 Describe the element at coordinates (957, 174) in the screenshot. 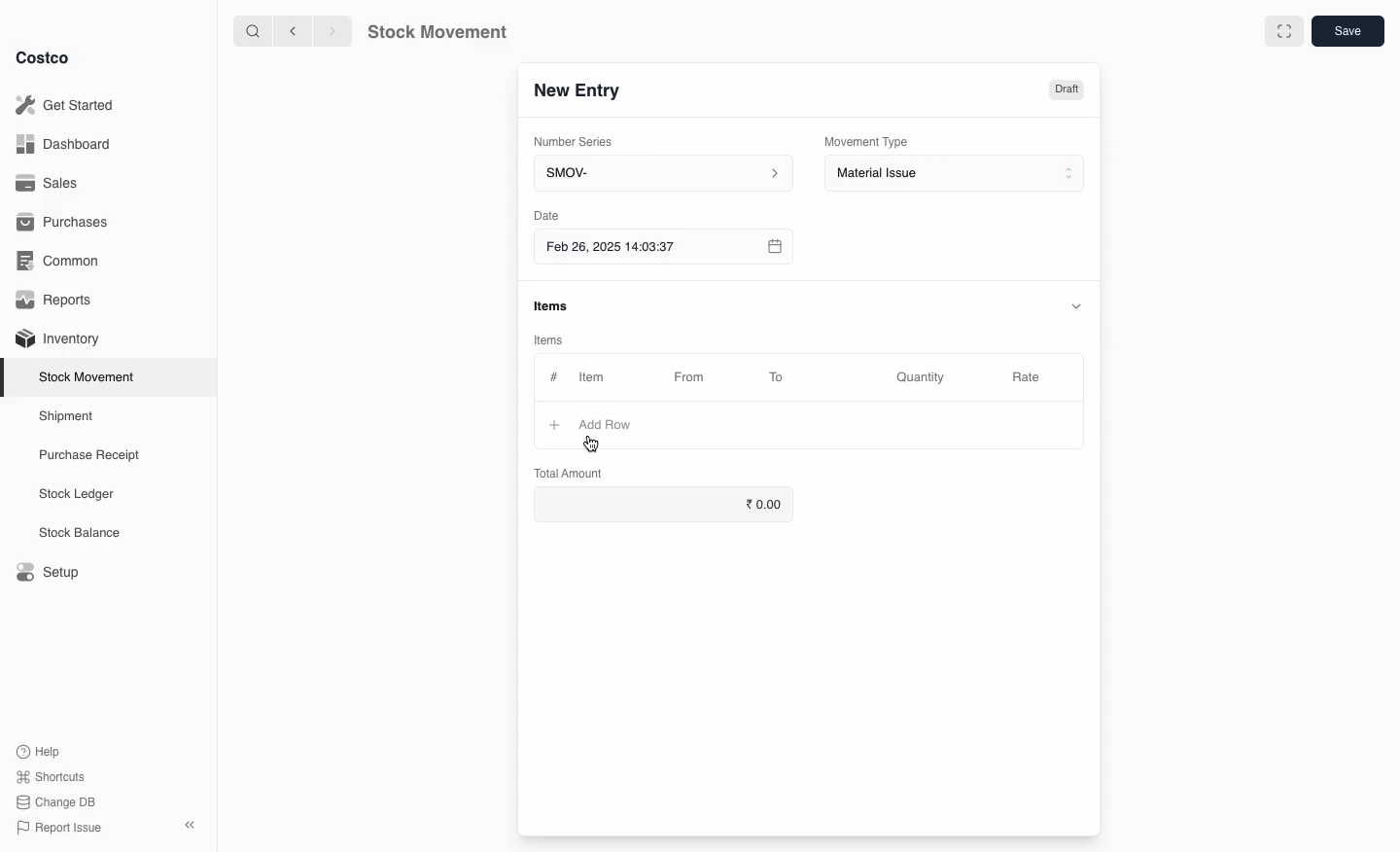

I see `Material issue` at that location.